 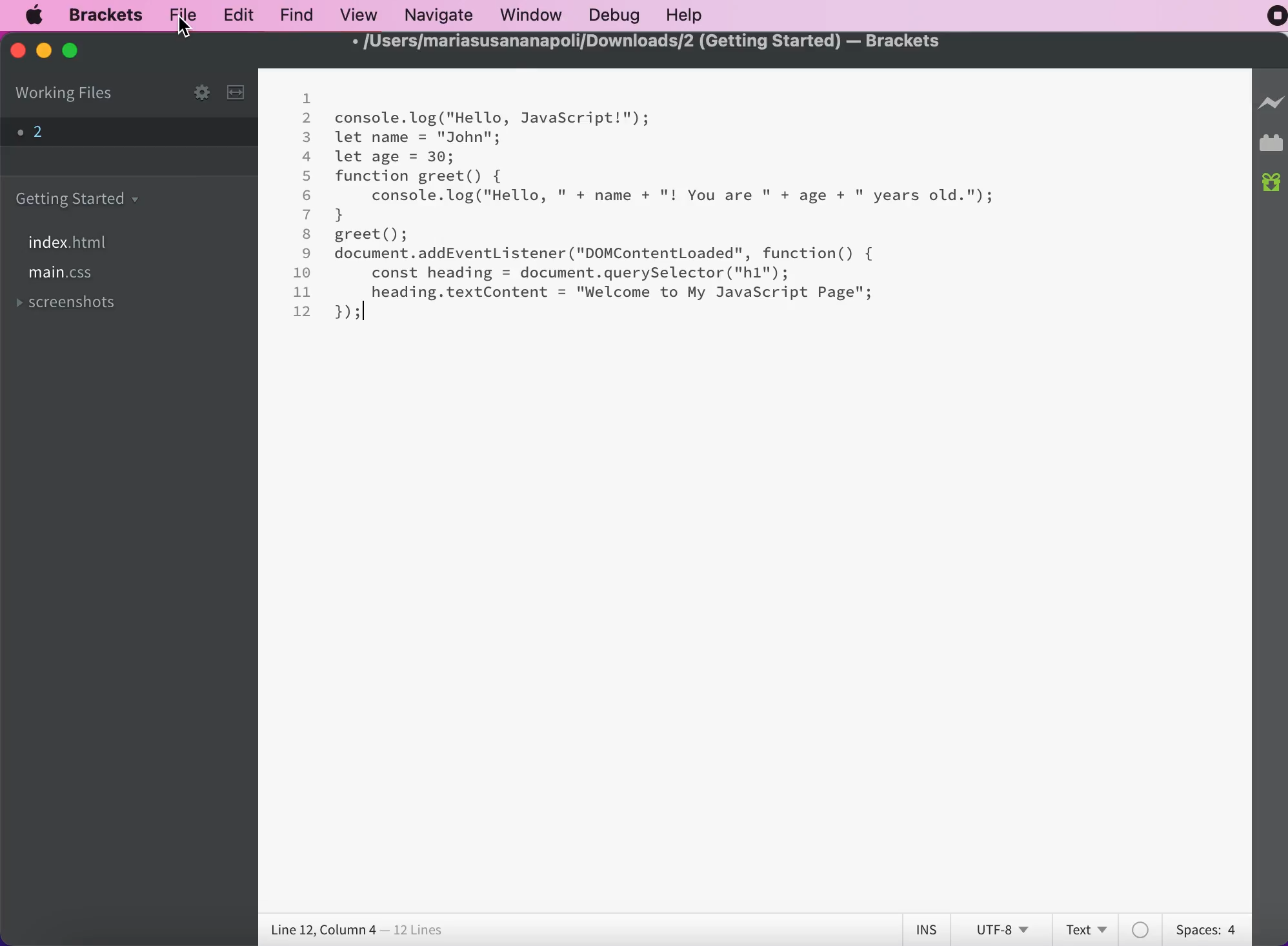 I want to click on find, so click(x=293, y=15).